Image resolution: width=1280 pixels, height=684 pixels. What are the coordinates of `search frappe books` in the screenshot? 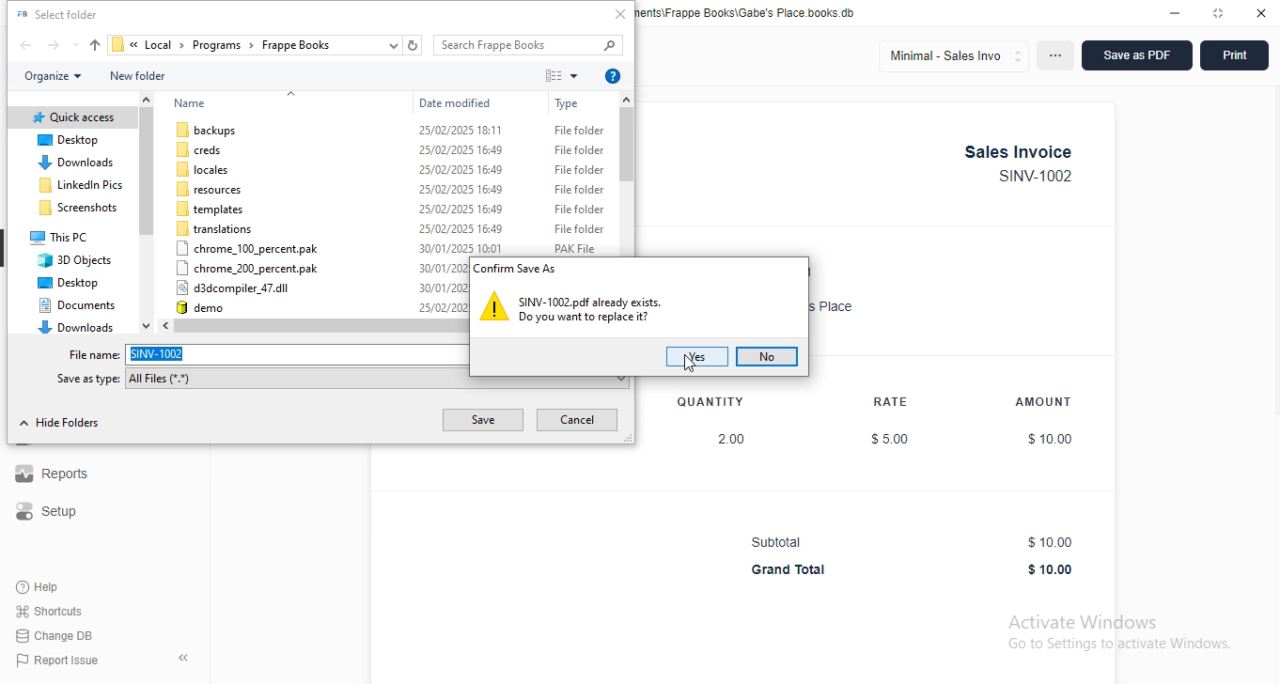 It's located at (527, 44).